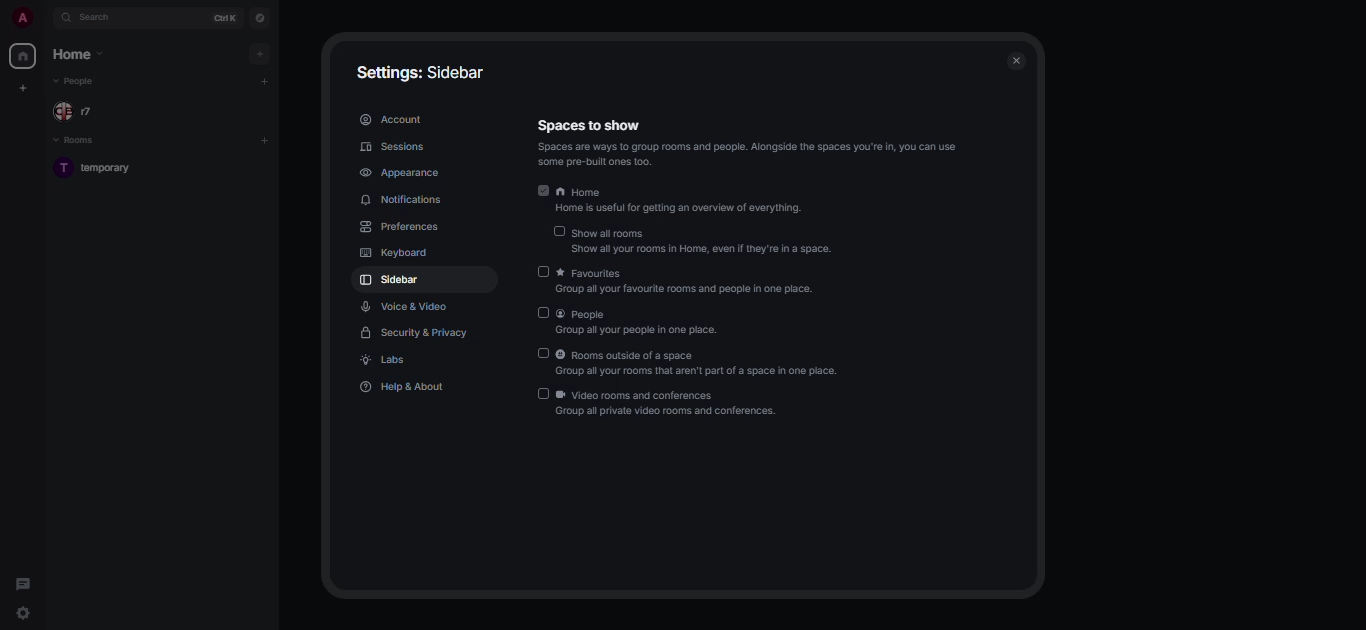  What do you see at coordinates (82, 55) in the screenshot?
I see `home` at bounding box center [82, 55].